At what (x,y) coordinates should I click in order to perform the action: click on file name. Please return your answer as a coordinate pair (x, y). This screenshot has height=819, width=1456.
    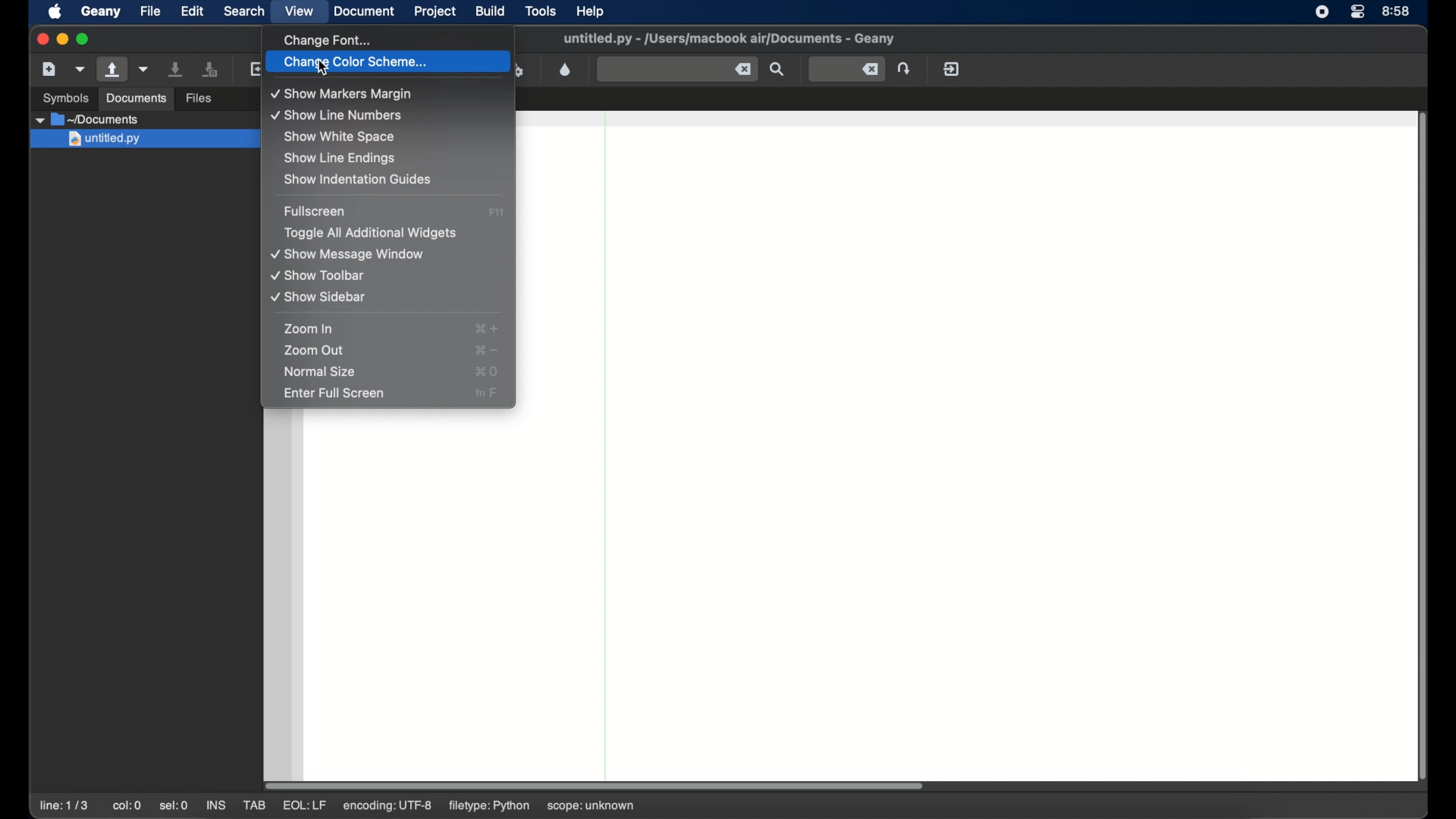
    Looking at the image, I should click on (727, 39).